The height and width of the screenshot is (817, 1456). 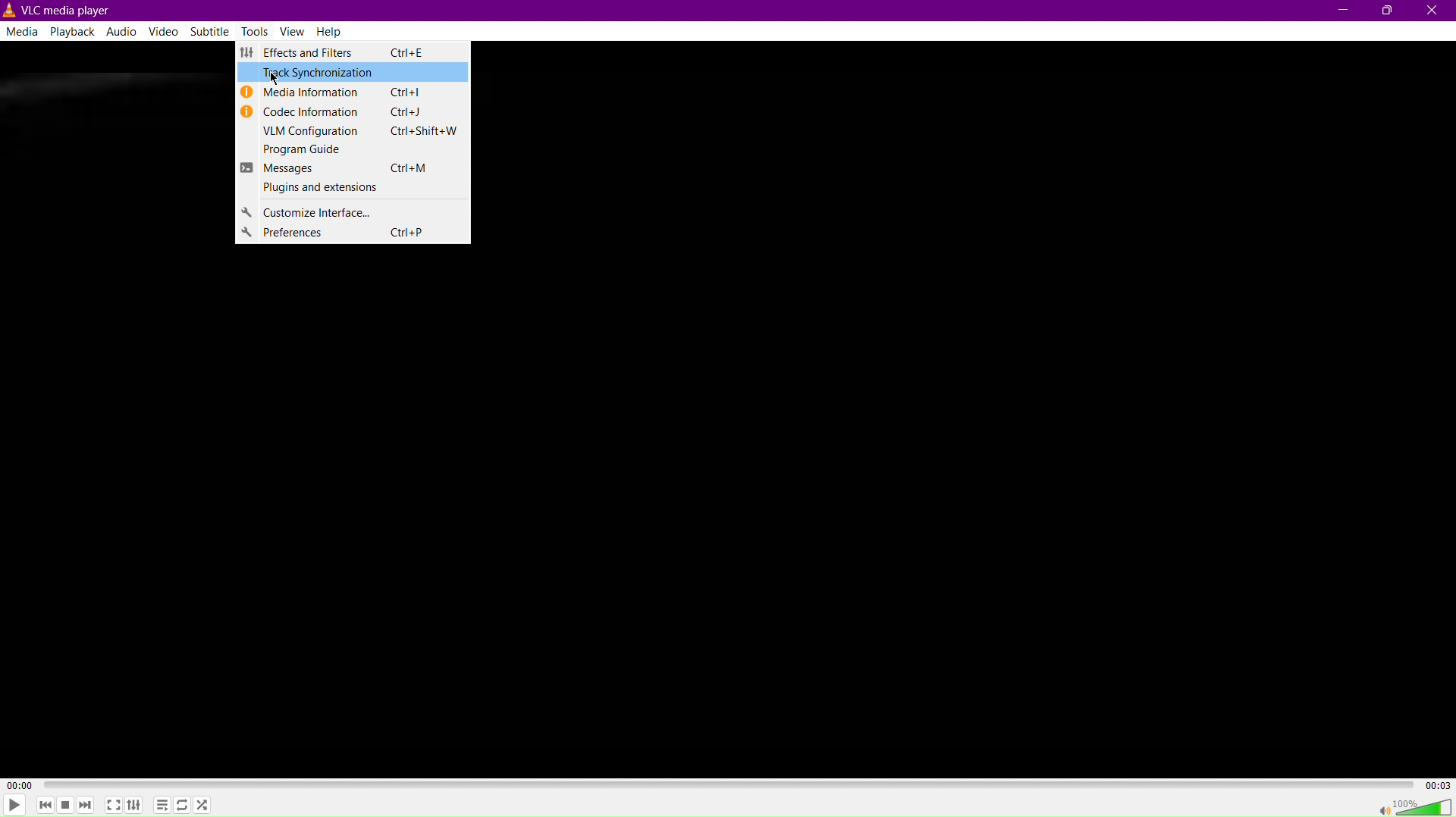 I want to click on Tools, so click(x=257, y=30).